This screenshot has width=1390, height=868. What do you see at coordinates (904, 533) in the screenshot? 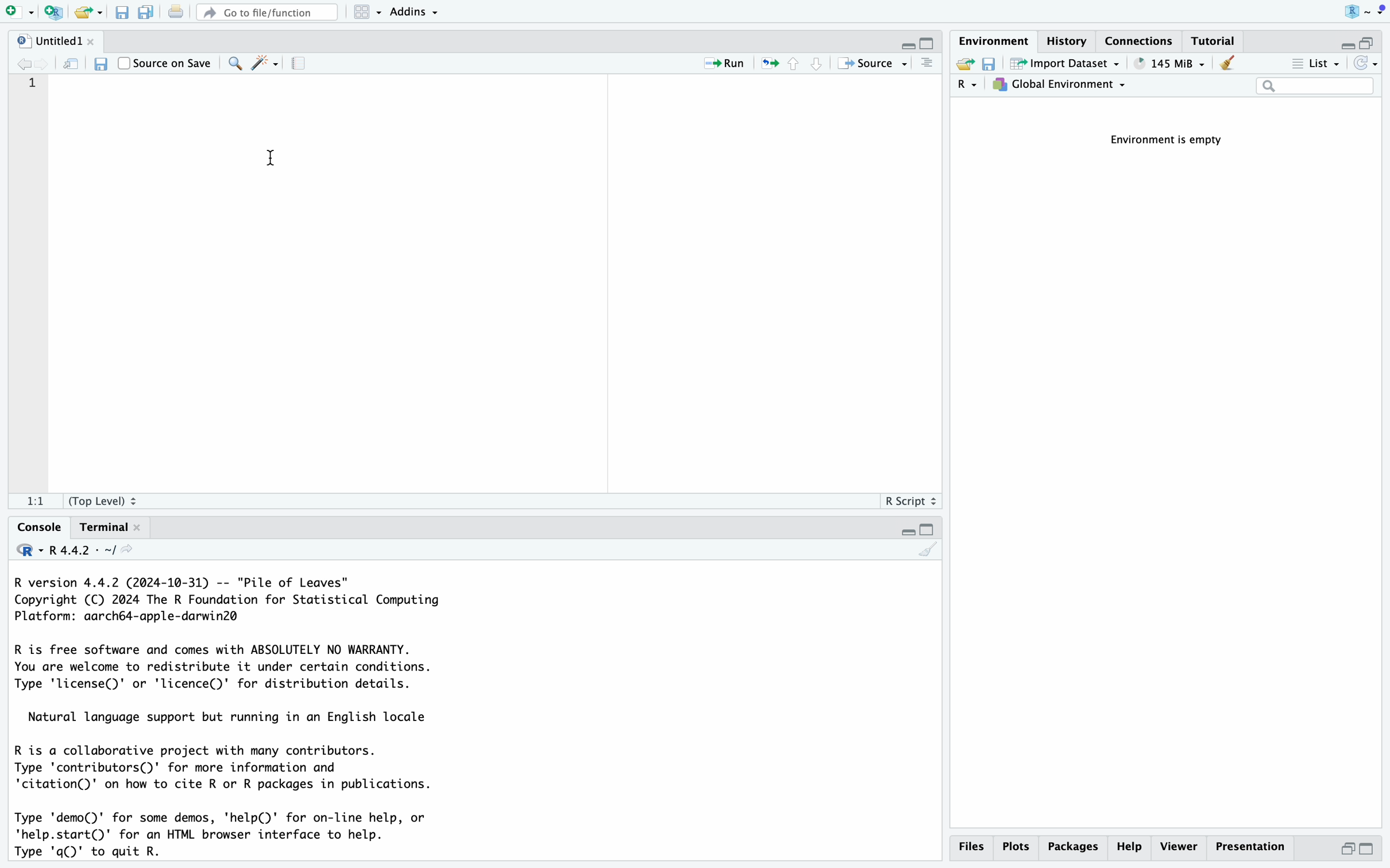
I see `minimize` at bounding box center [904, 533].